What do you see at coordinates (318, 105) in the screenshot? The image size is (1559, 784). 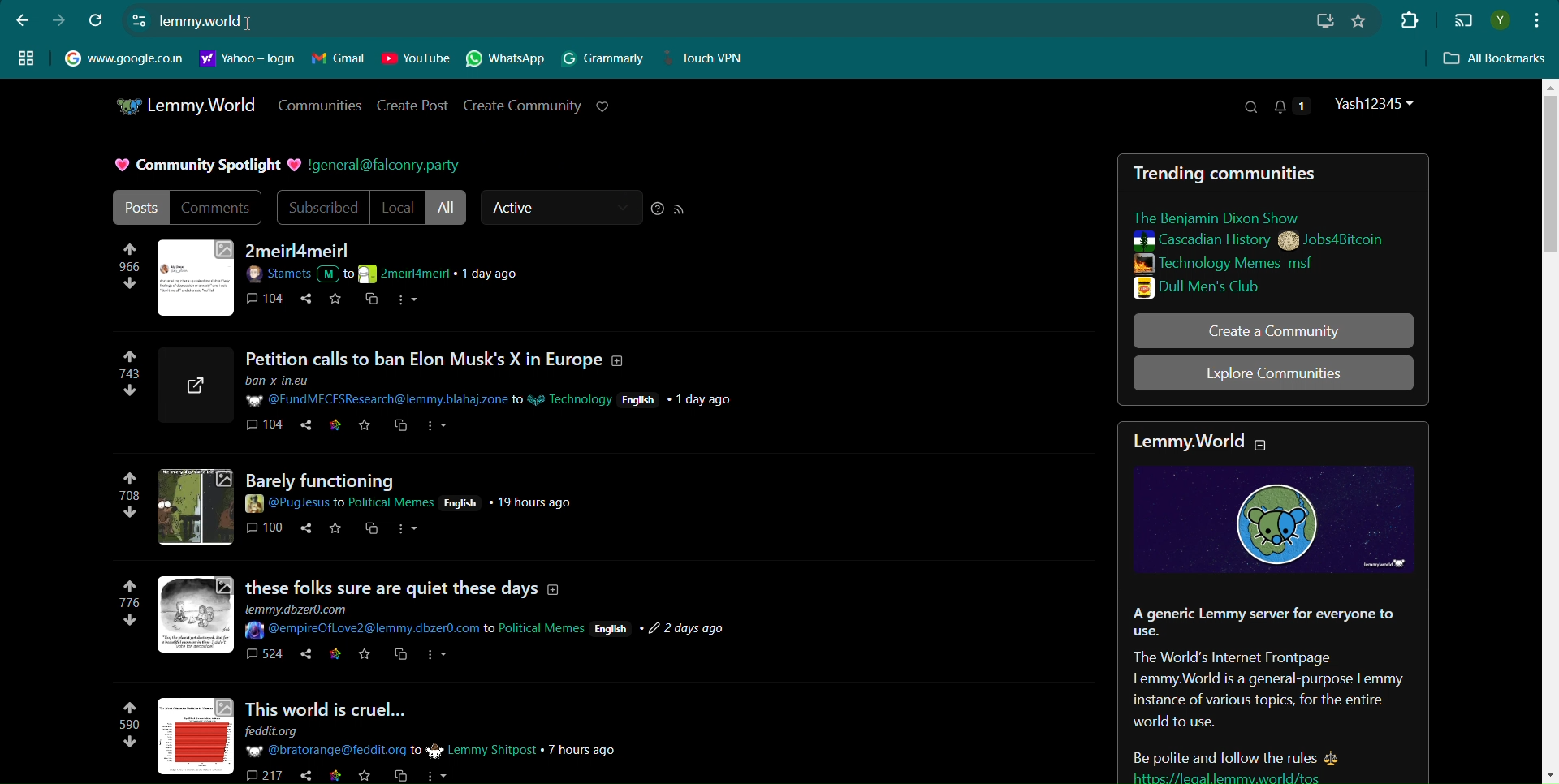 I see `Communities` at bounding box center [318, 105].